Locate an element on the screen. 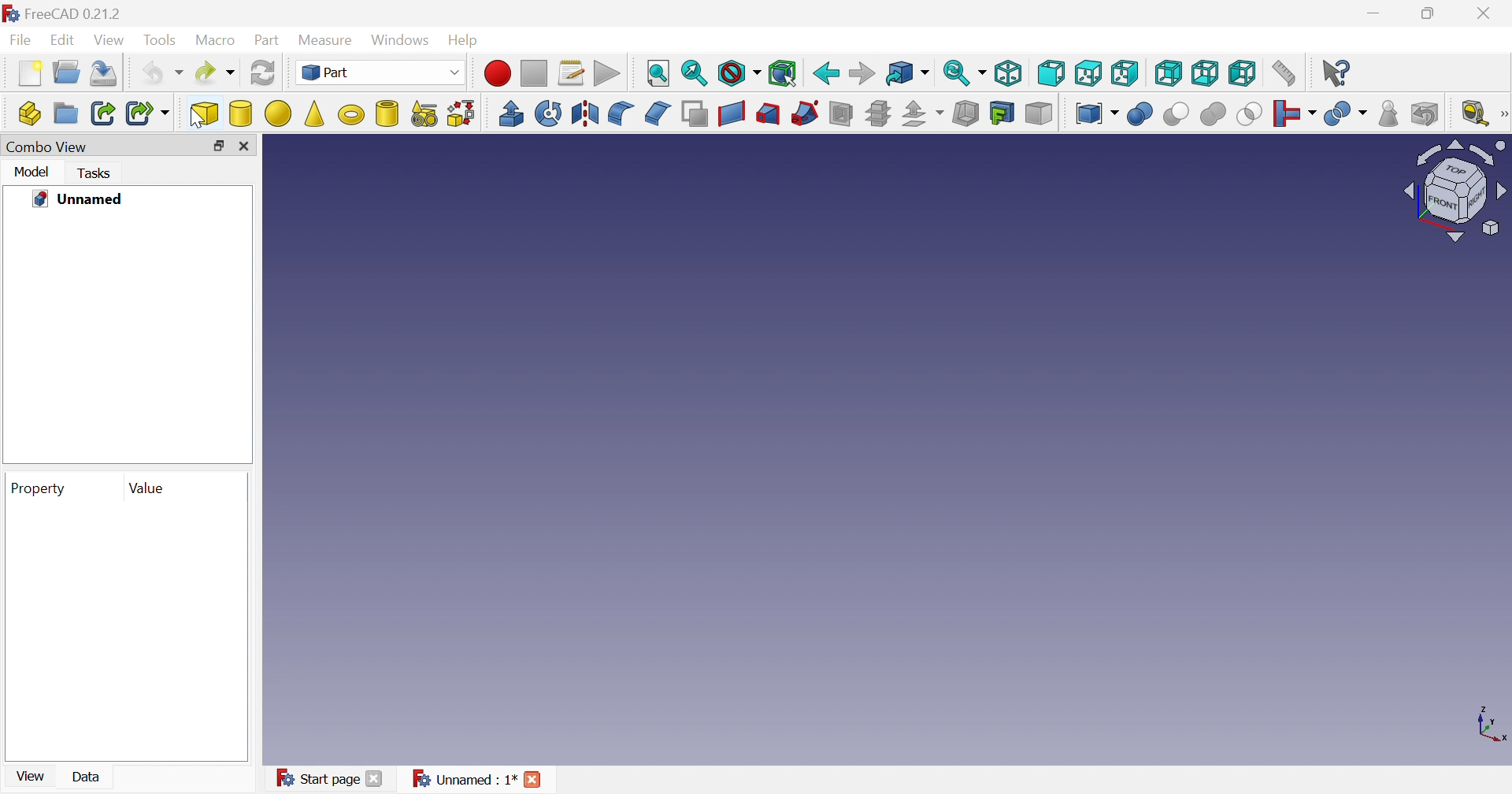 The width and height of the screenshot is (1512, 794). Revolve is located at coordinates (548, 113).